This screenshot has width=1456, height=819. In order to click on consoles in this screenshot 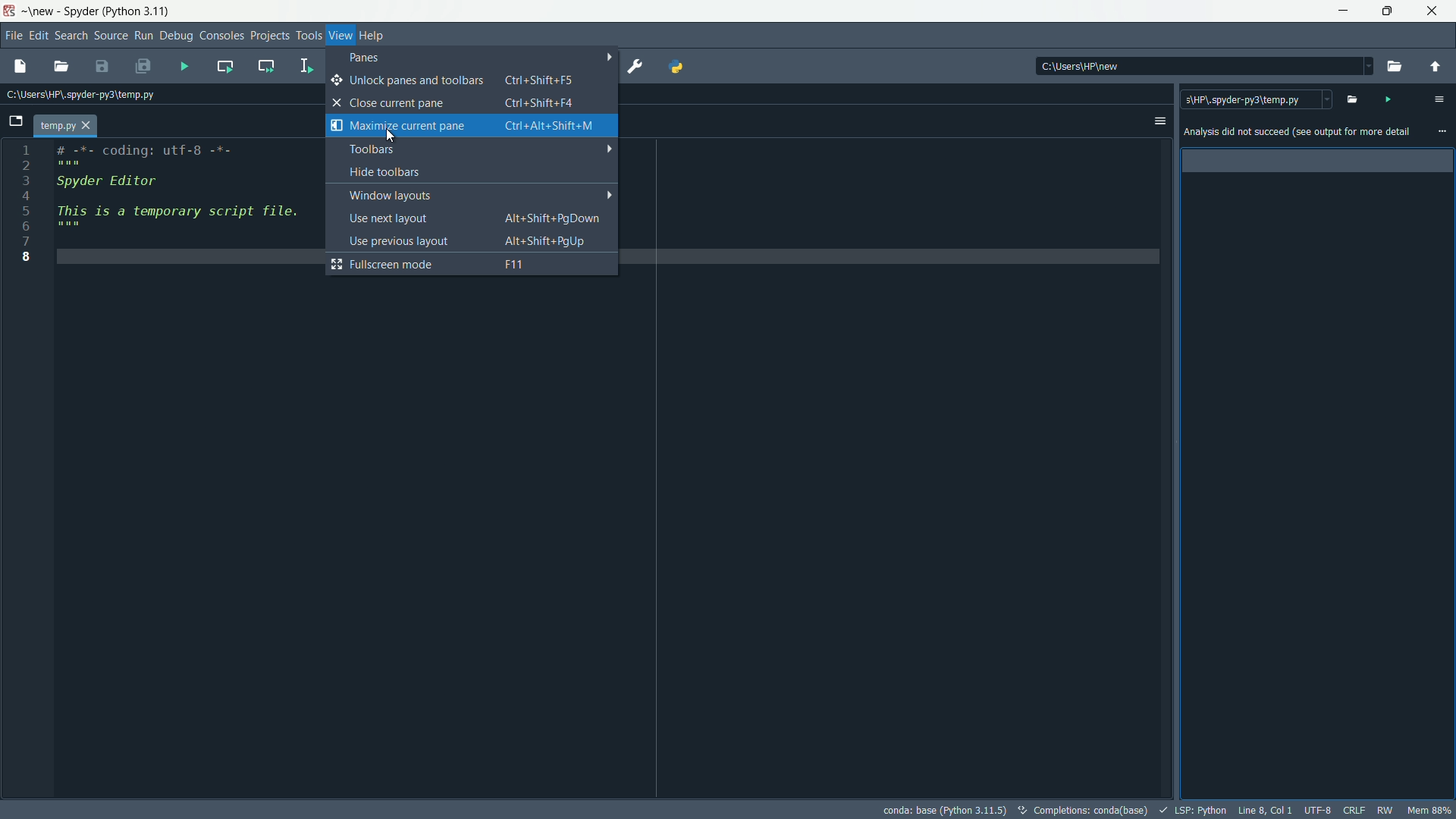, I will do `click(221, 36)`.